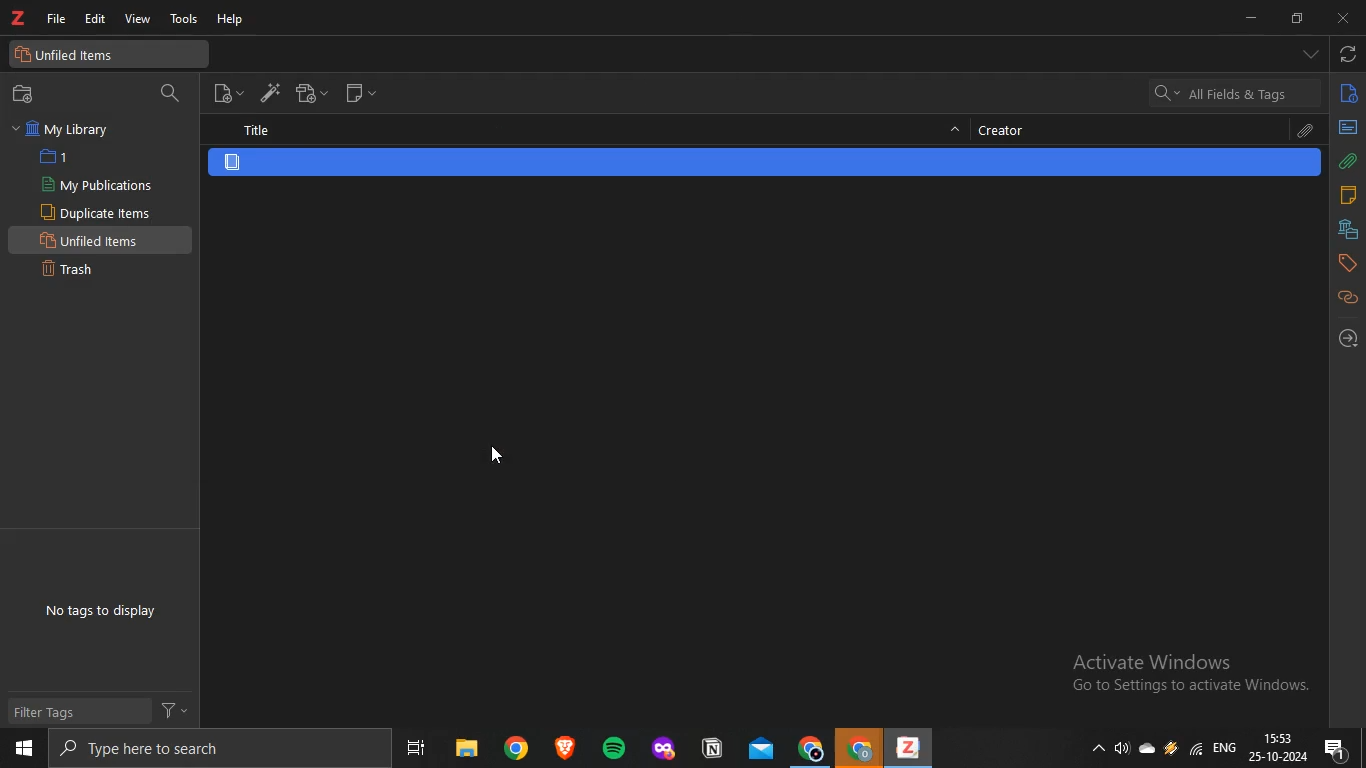  I want to click on application, so click(666, 749).